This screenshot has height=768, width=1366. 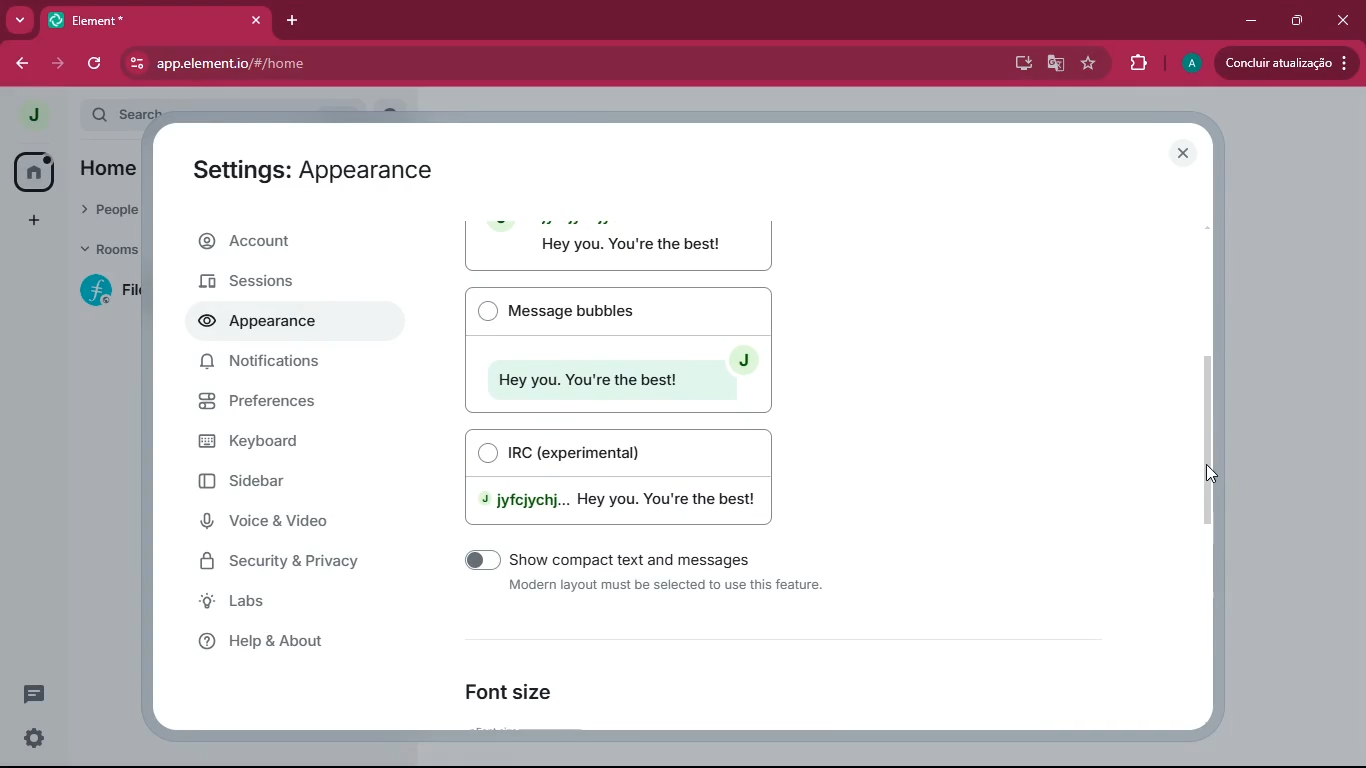 I want to click on refresh, so click(x=97, y=66).